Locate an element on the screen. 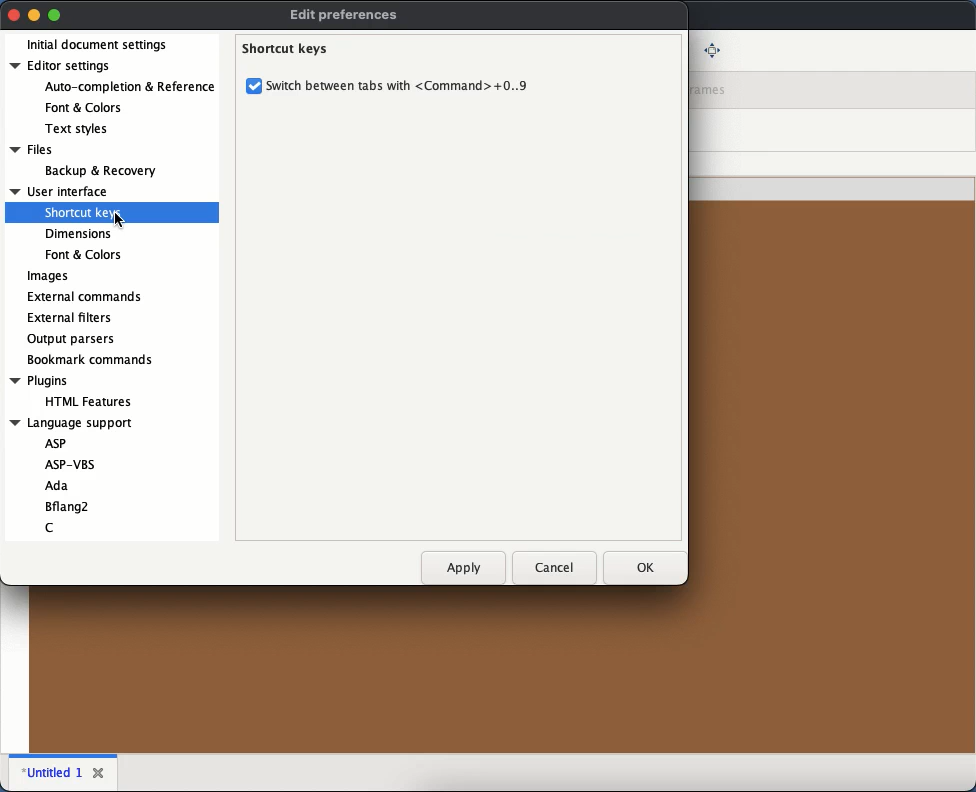  Bflang2 is located at coordinates (75, 506).